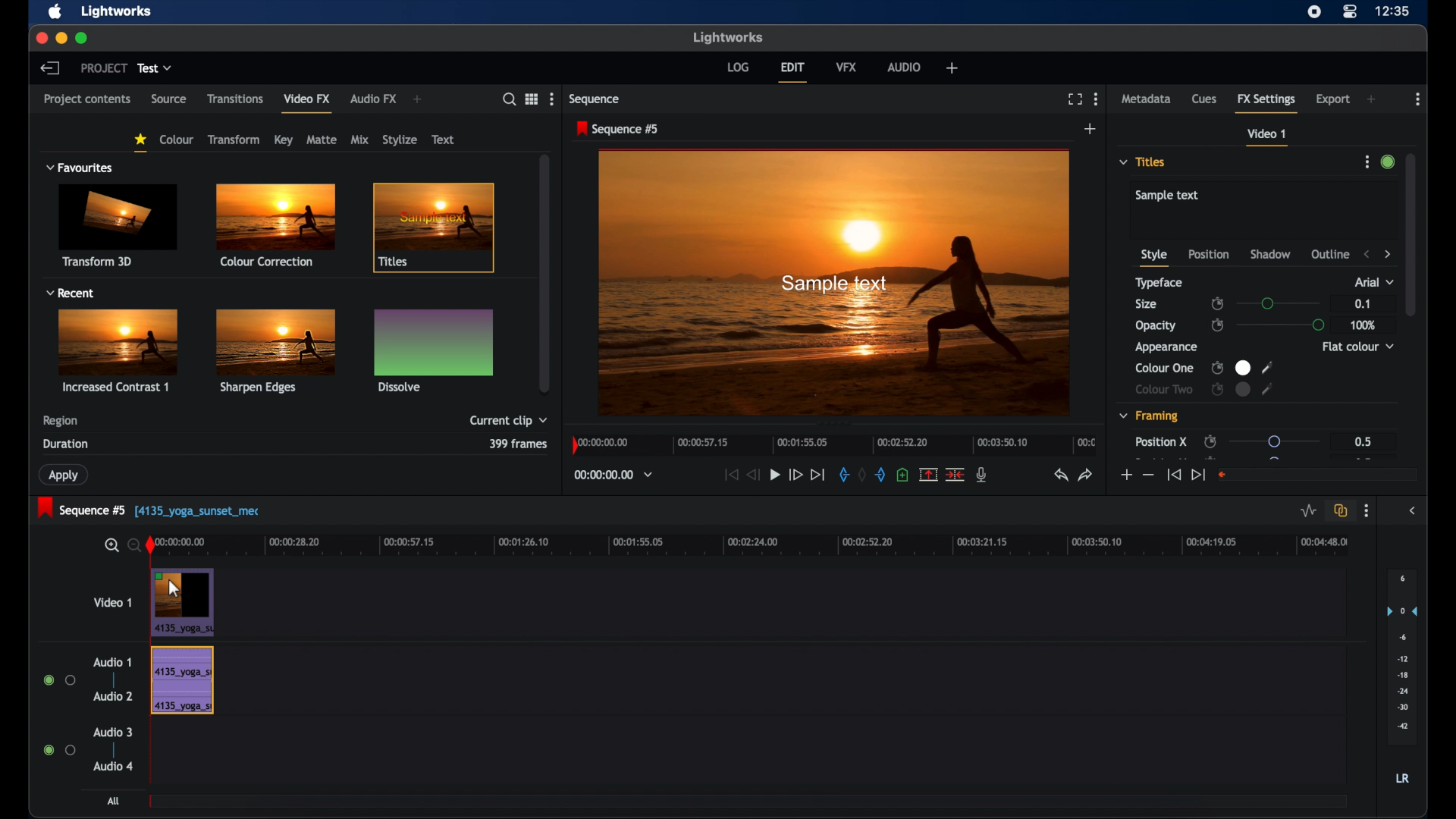  I want to click on appearance, so click(1166, 349).